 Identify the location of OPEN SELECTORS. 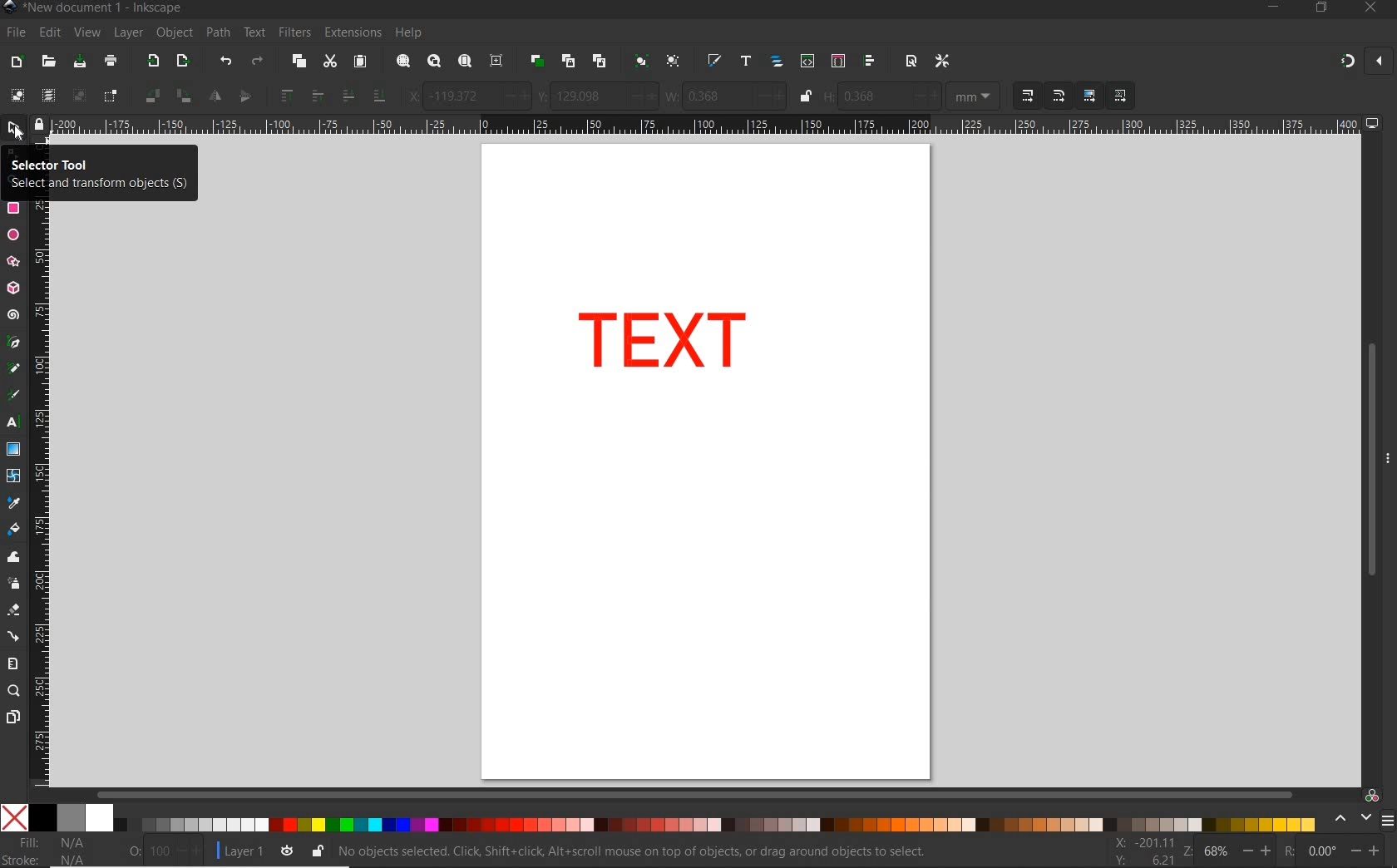
(837, 61).